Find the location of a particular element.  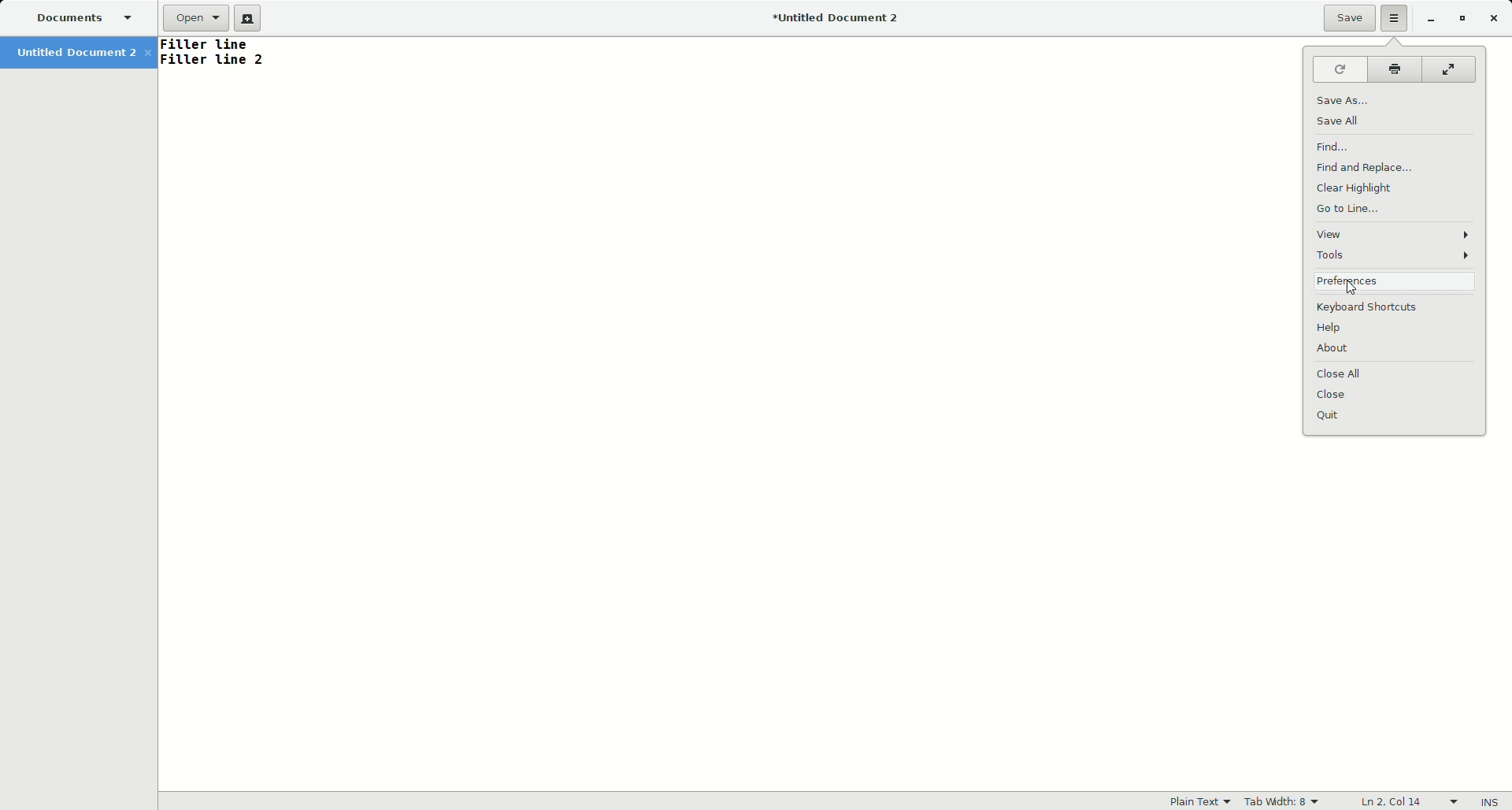

Close is located at coordinates (1495, 18).